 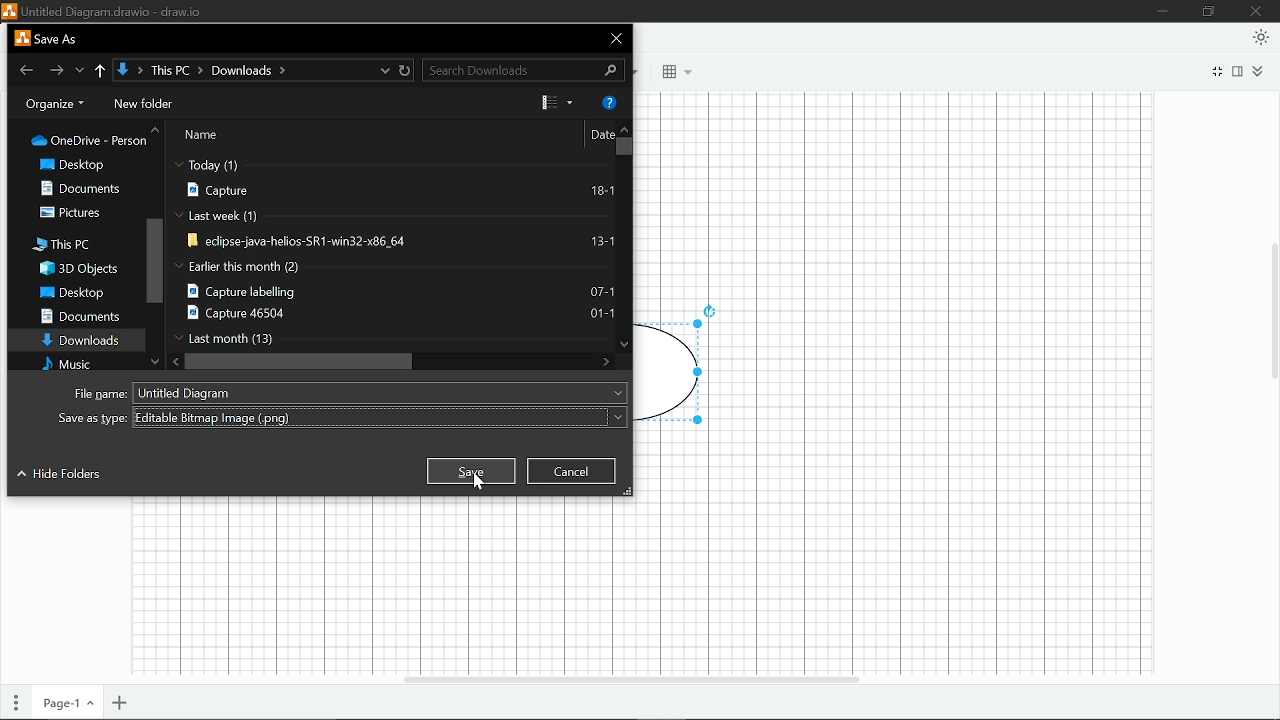 I want to click on Current folder, so click(x=124, y=70).